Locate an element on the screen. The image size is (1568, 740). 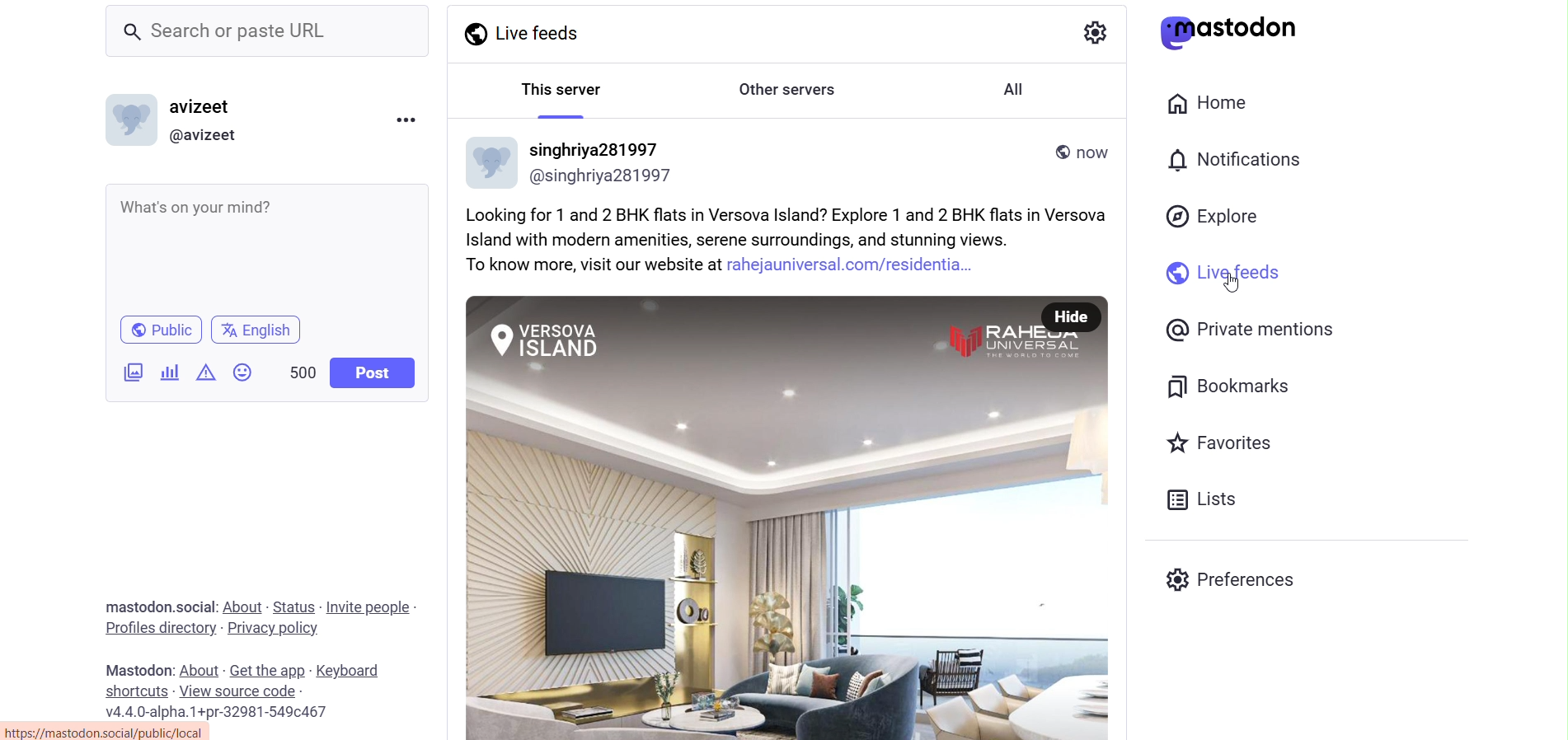
setting is located at coordinates (1096, 35).